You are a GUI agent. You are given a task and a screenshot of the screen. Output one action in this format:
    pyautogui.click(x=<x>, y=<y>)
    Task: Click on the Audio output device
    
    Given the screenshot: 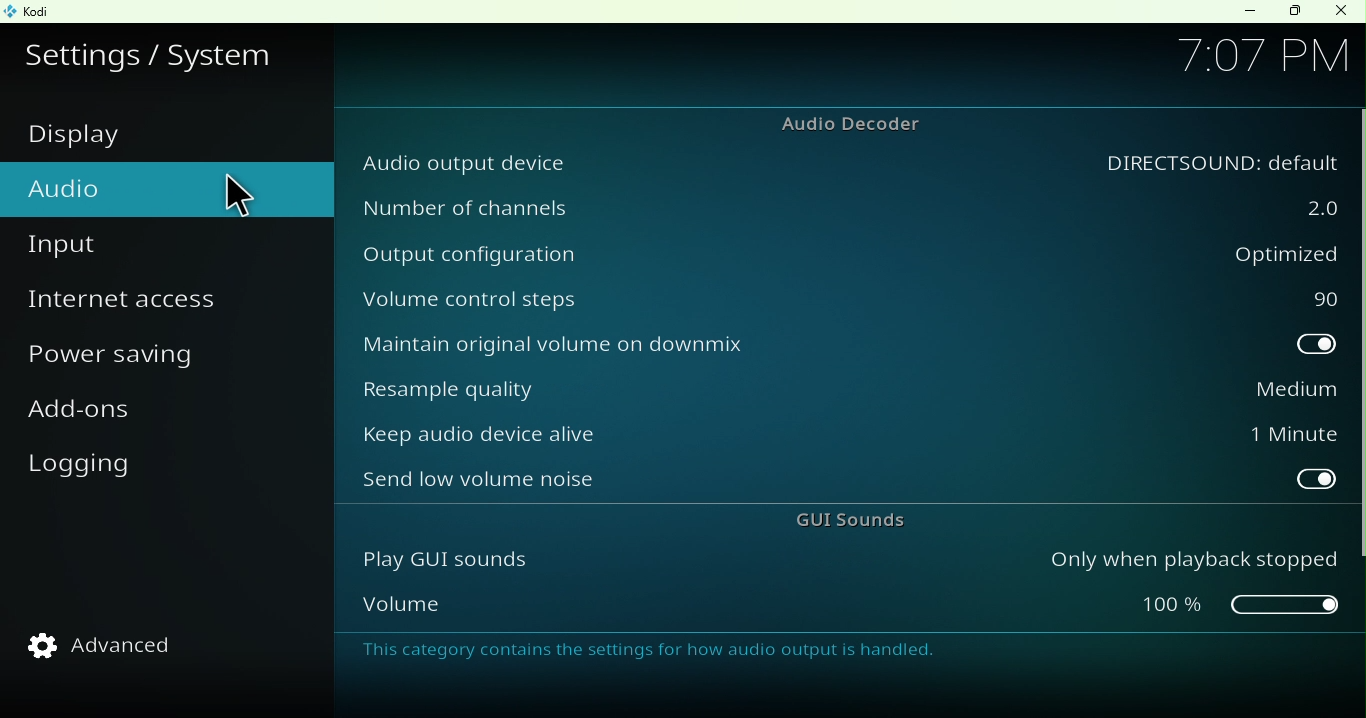 What is the action you would take?
    pyautogui.click(x=711, y=158)
    